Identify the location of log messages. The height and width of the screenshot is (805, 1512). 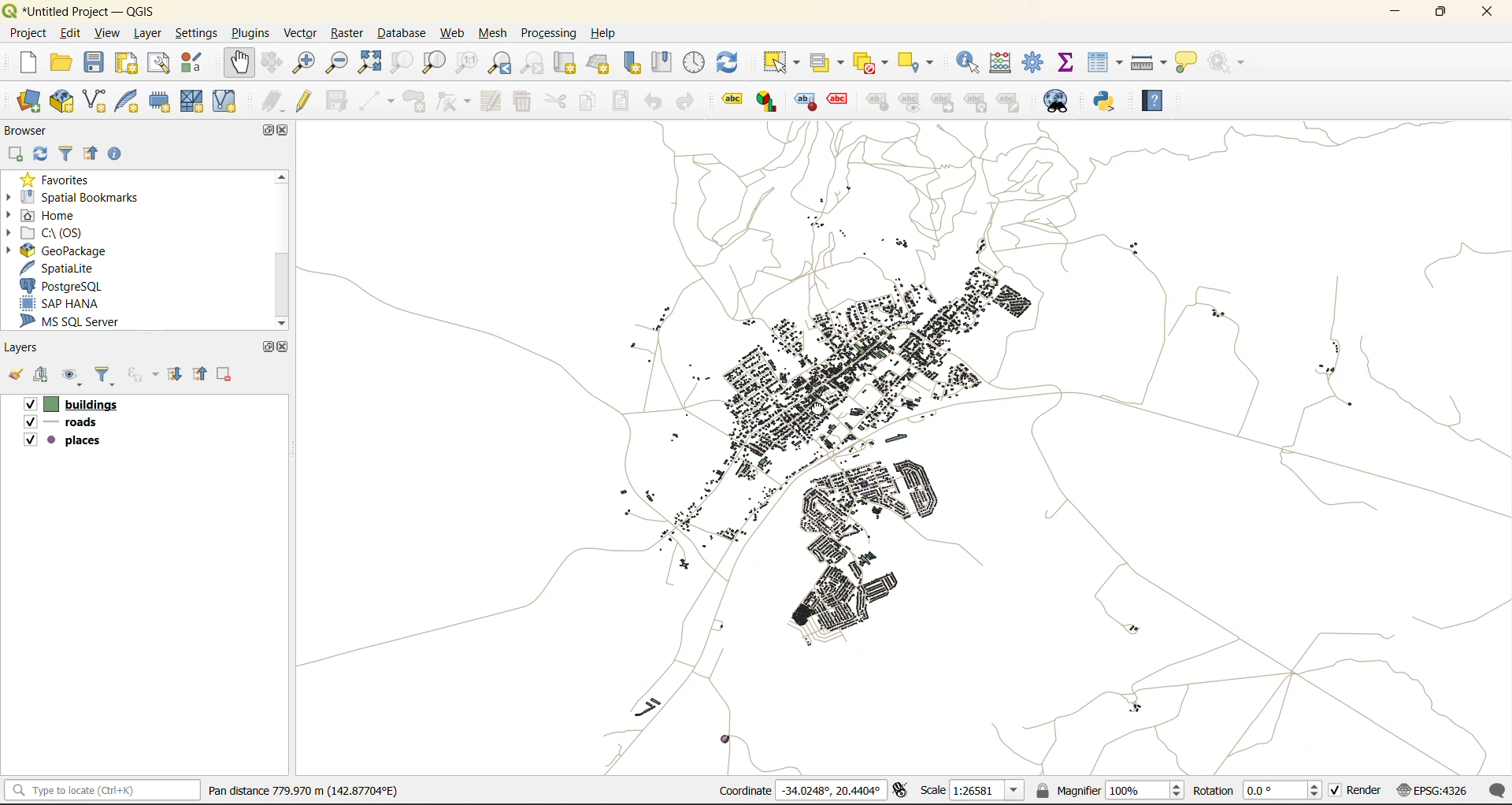
(1498, 791).